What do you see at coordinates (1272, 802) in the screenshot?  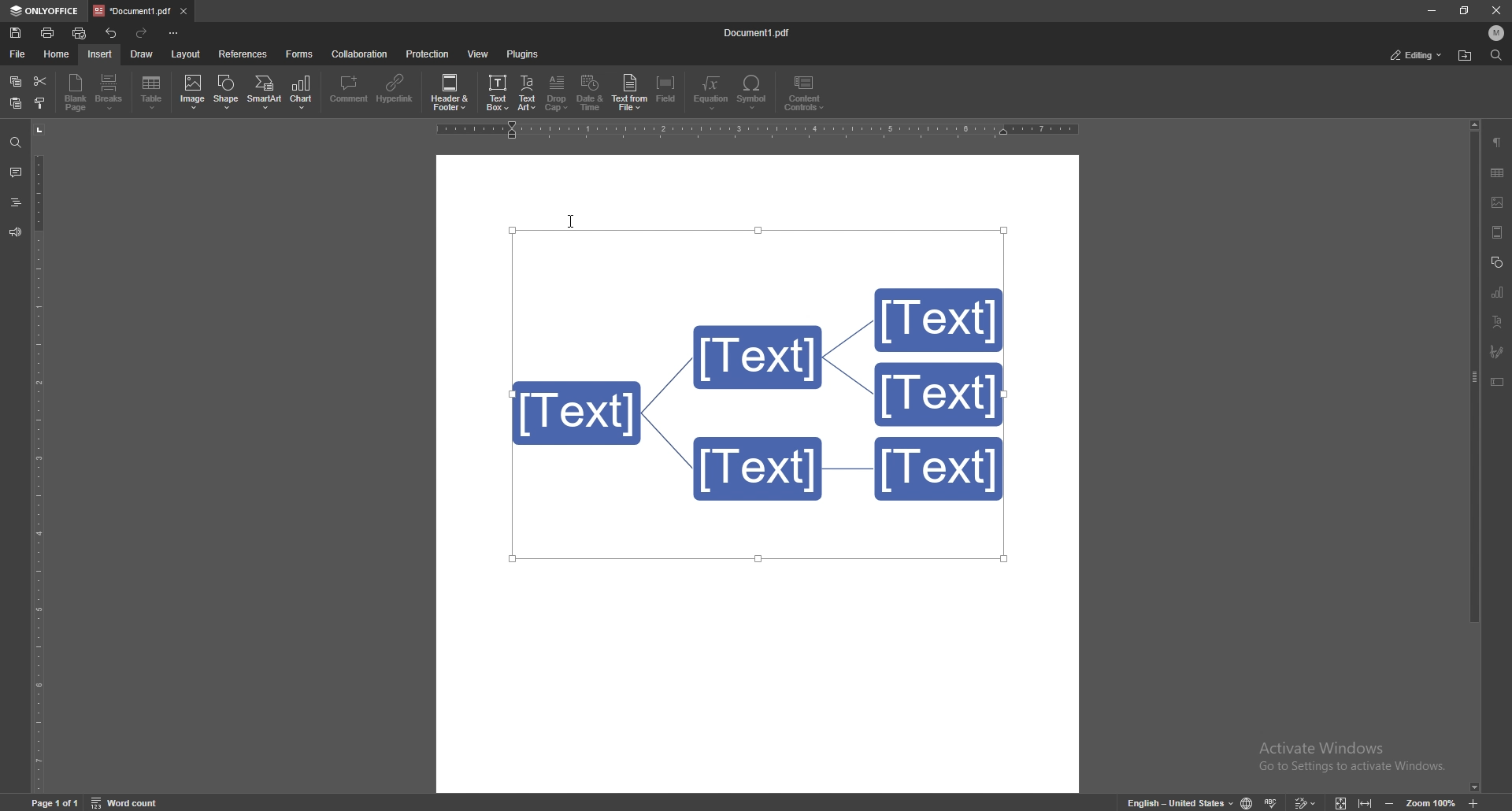 I see `spell check` at bounding box center [1272, 802].